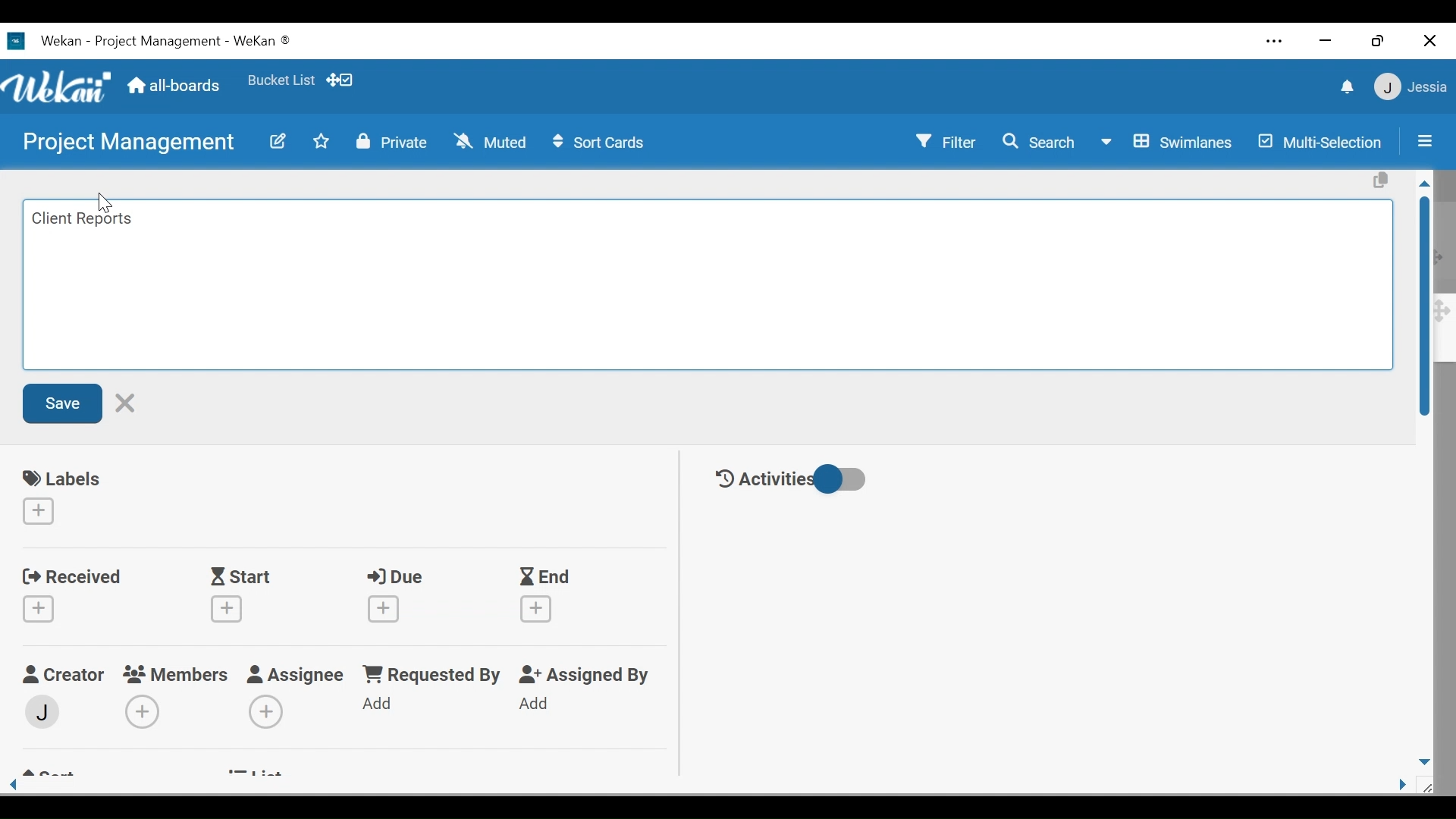 Image resolution: width=1456 pixels, height=819 pixels. I want to click on Received Date, so click(74, 576).